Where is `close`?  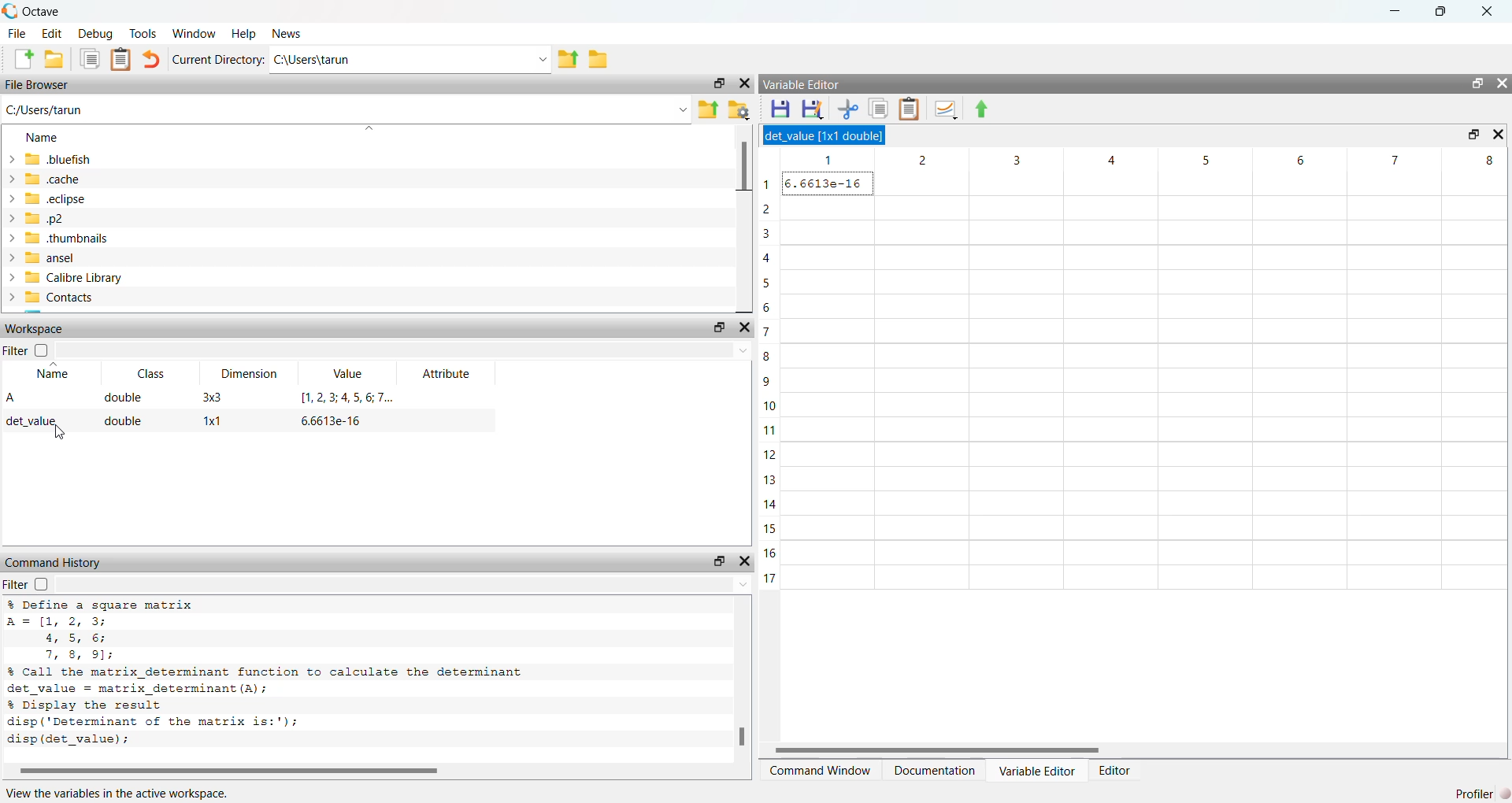
close is located at coordinates (743, 83).